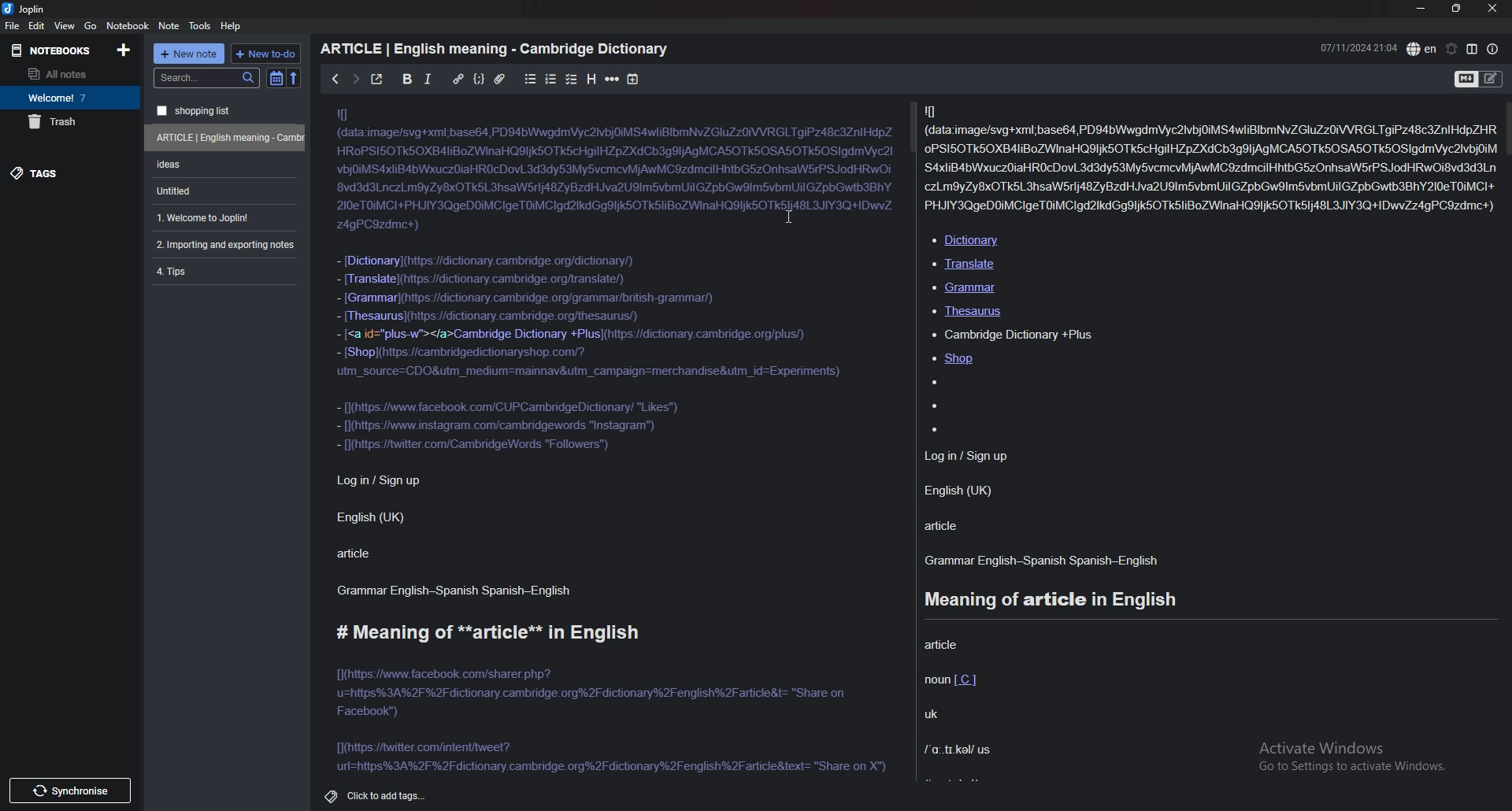 The image size is (1512, 811). Describe the element at coordinates (124, 50) in the screenshot. I see `add notebook` at that location.